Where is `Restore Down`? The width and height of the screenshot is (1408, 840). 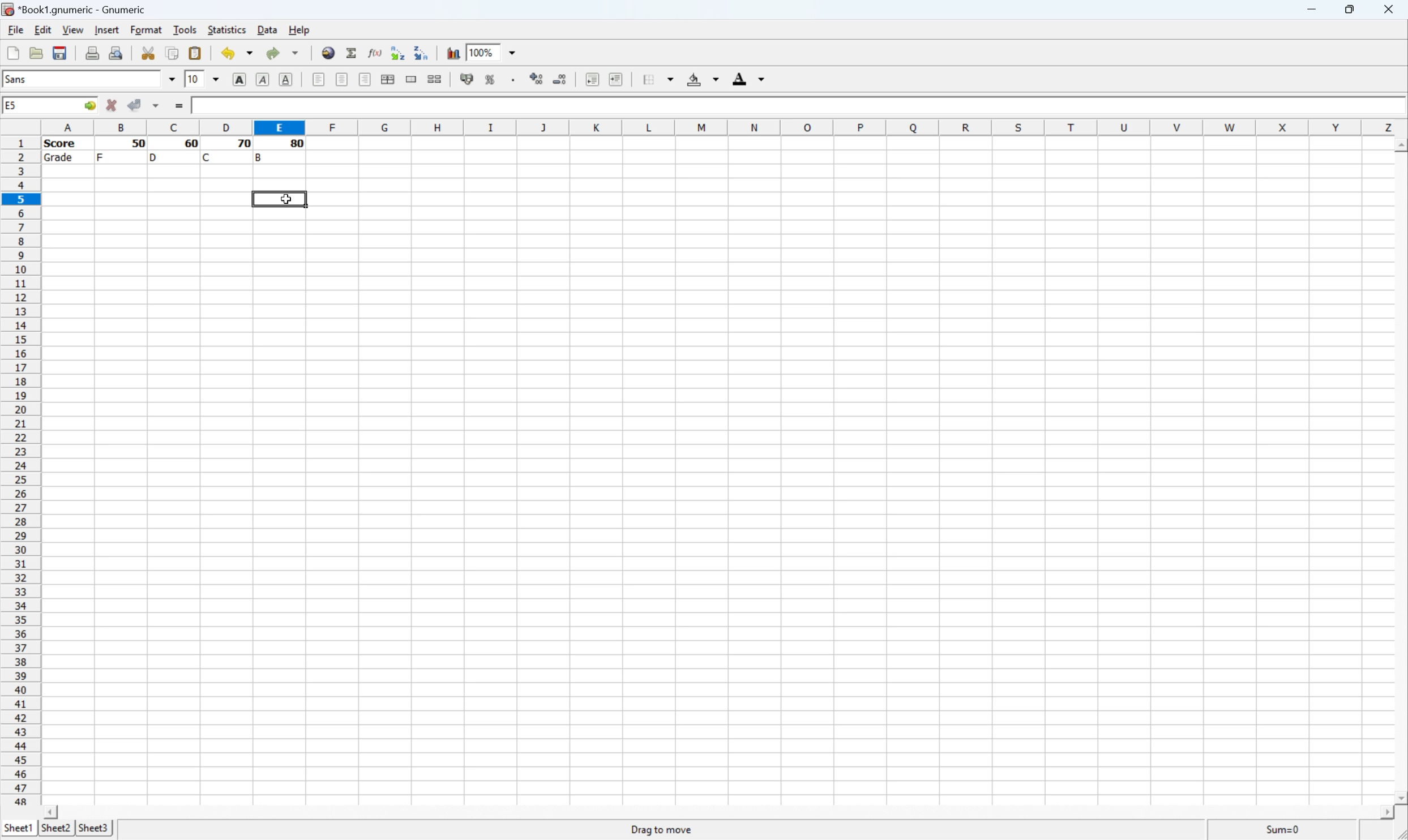
Restore Down is located at coordinates (1351, 10).